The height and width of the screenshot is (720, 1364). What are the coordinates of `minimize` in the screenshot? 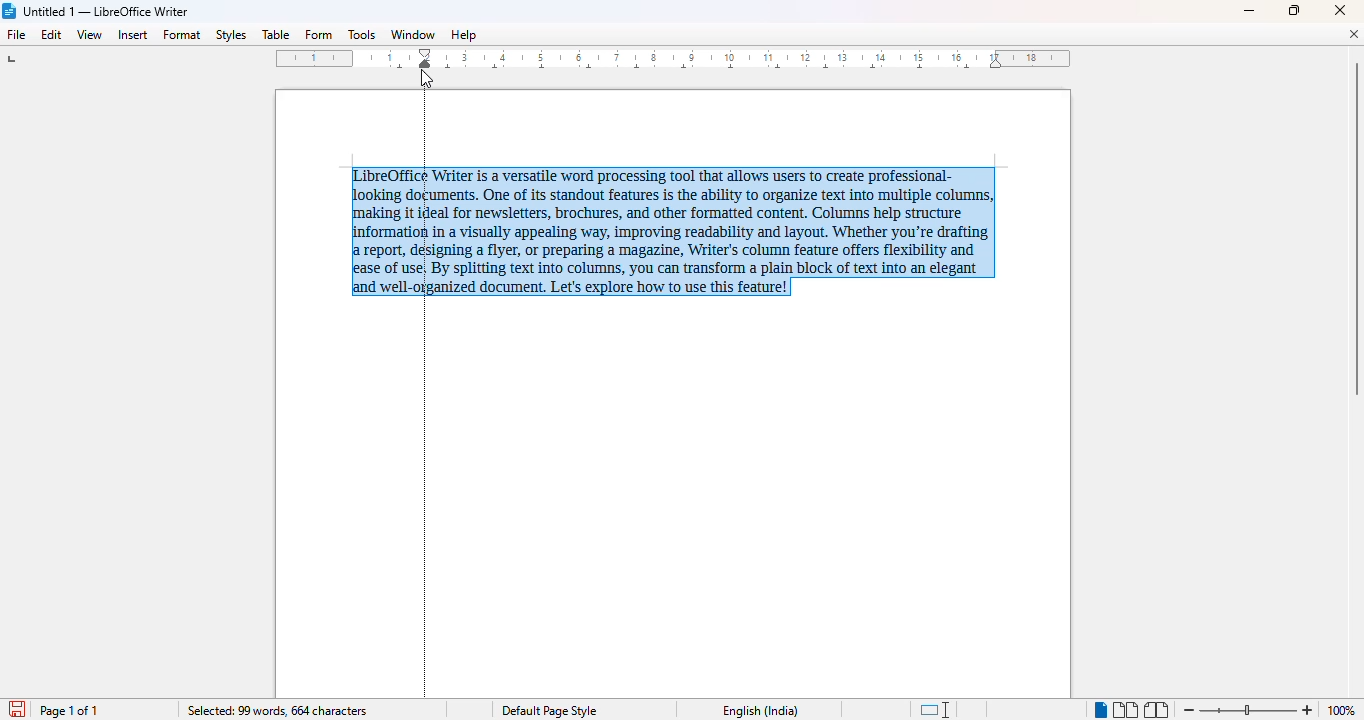 It's located at (1249, 12).